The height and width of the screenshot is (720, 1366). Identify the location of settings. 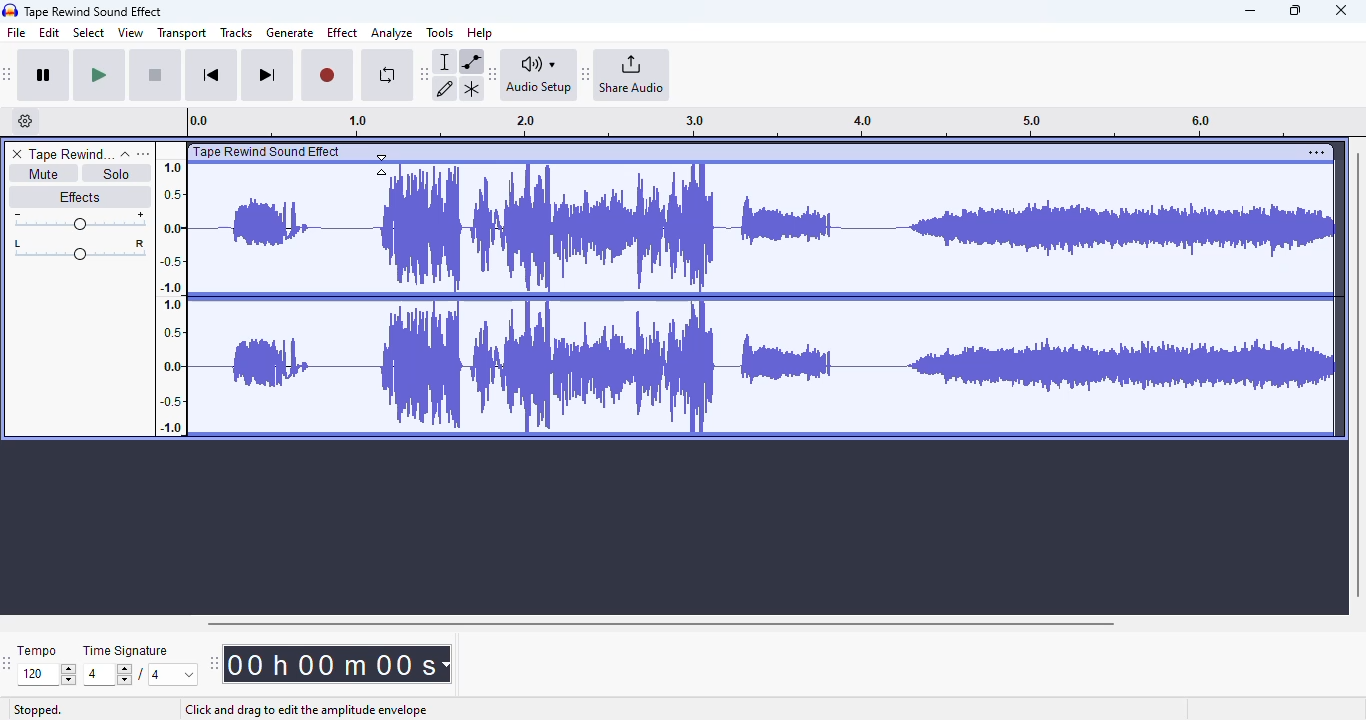
(1316, 152).